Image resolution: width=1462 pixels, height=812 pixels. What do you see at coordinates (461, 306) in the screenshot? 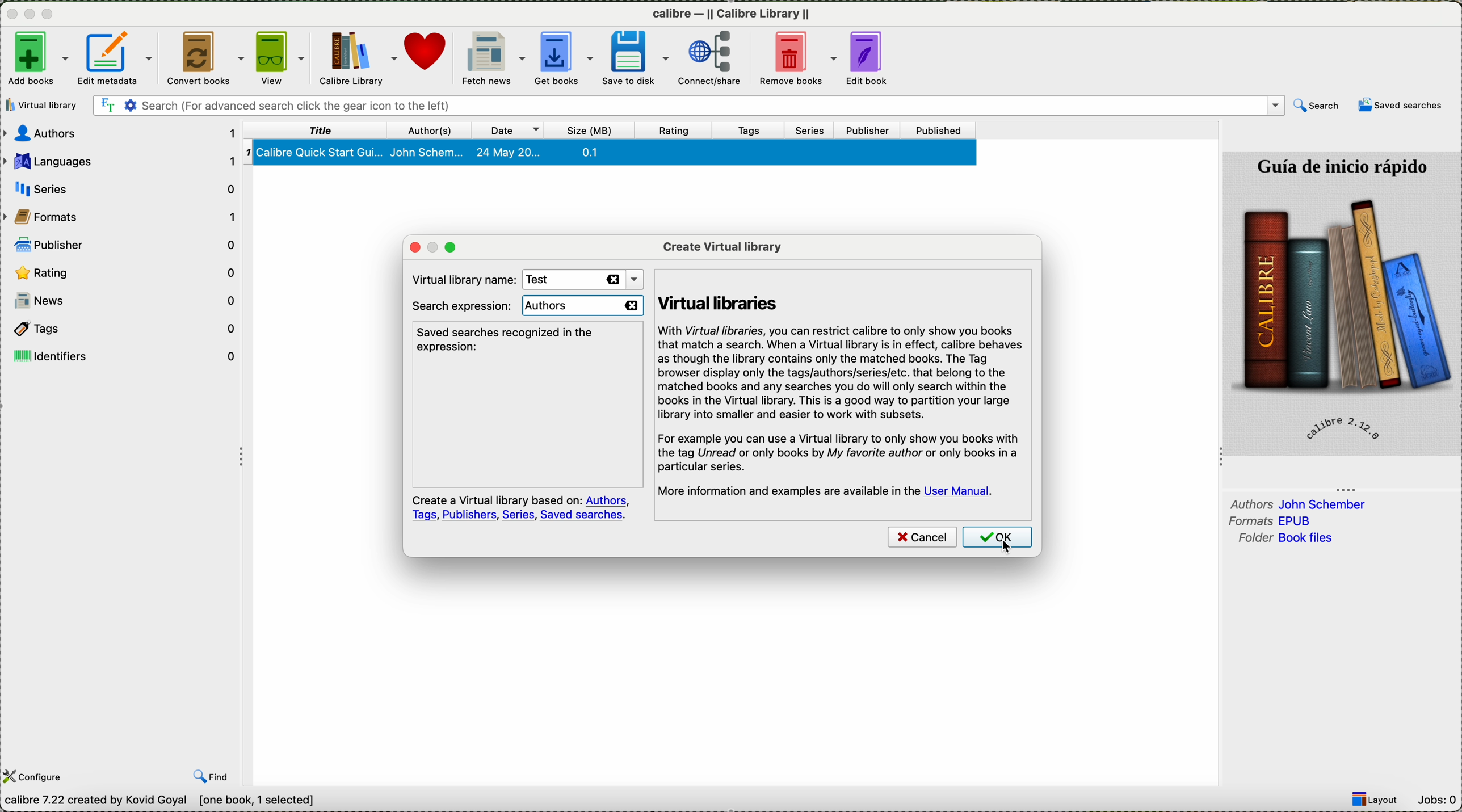
I see `search expression` at bounding box center [461, 306].